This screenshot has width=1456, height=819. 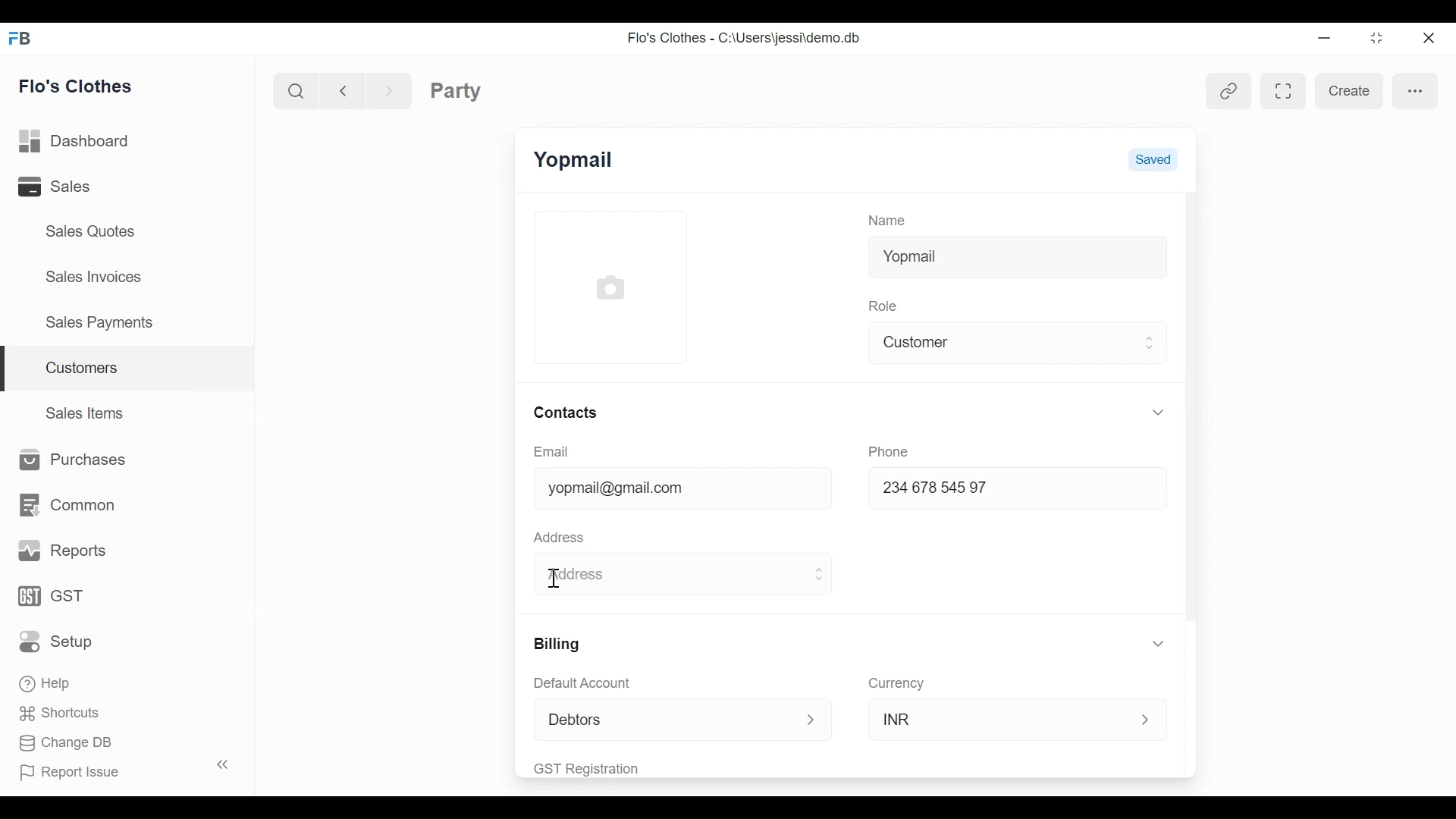 What do you see at coordinates (60, 641) in the screenshot?
I see `Setup` at bounding box center [60, 641].